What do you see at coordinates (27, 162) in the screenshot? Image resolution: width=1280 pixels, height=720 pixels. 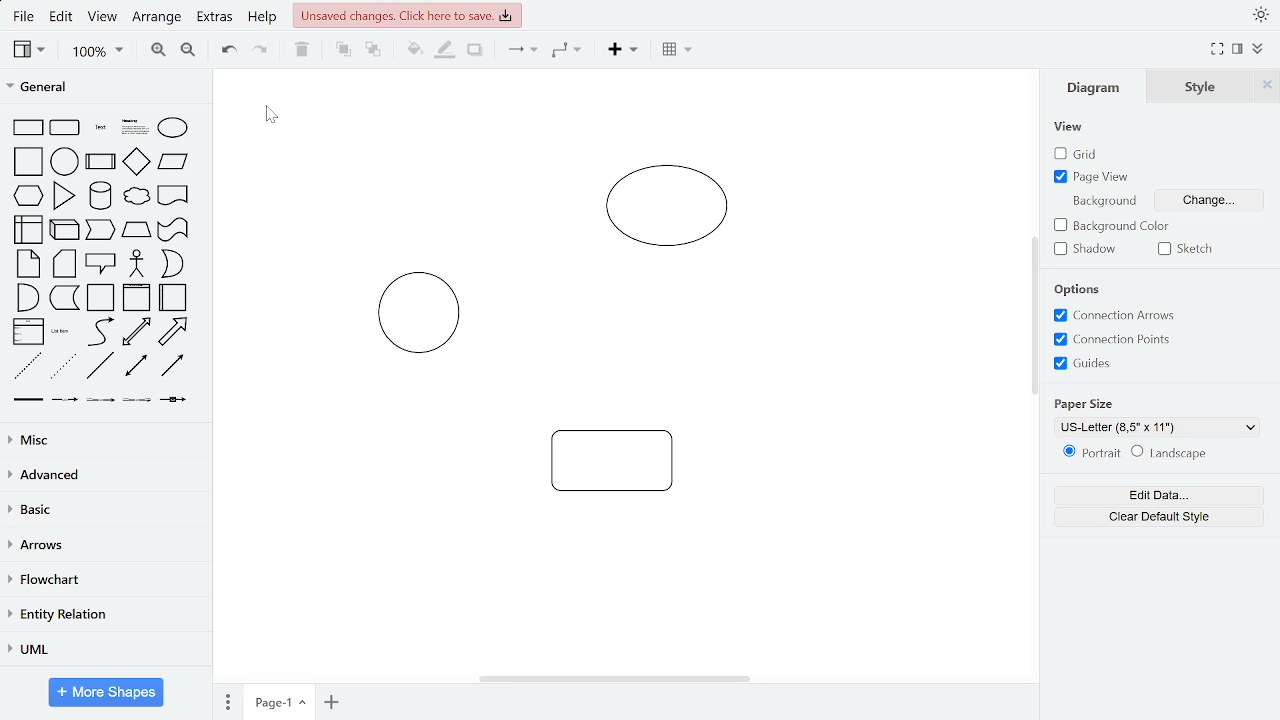 I see `square` at bounding box center [27, 162].